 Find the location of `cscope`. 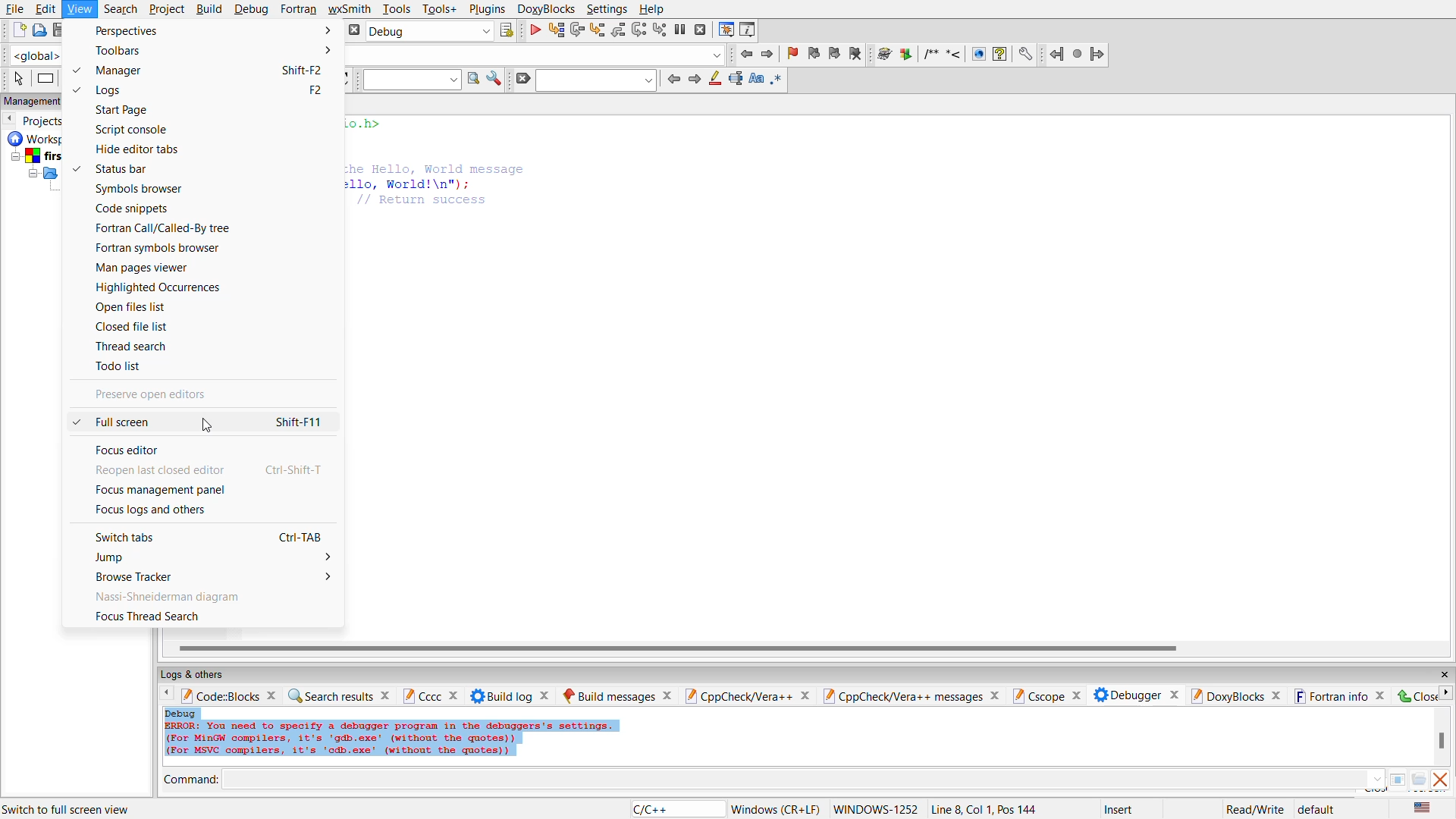

cscope is located at coordinates (1046, 695).